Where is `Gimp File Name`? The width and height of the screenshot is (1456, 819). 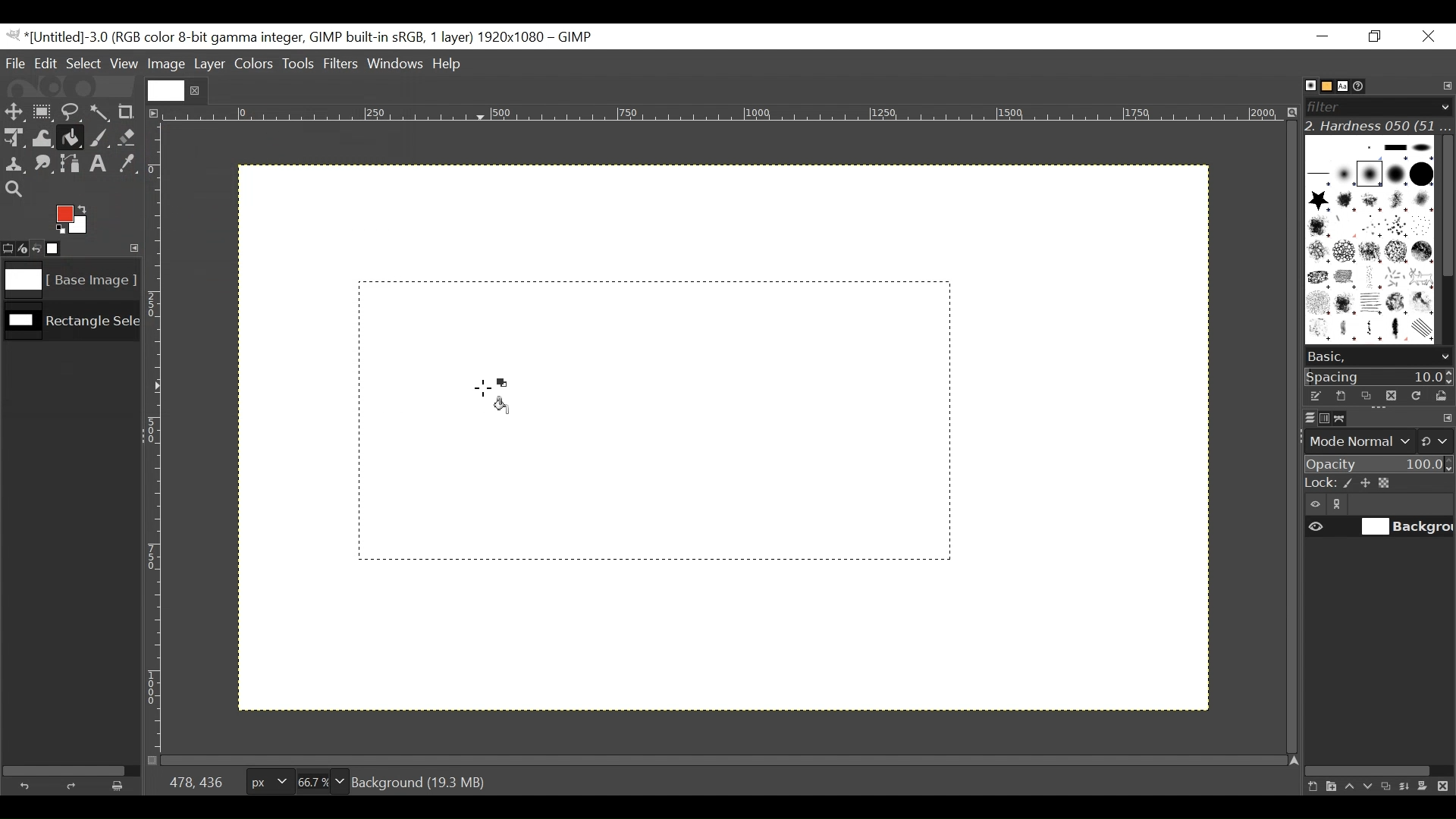
Gimp File Name is located at coordinates (302, 37).